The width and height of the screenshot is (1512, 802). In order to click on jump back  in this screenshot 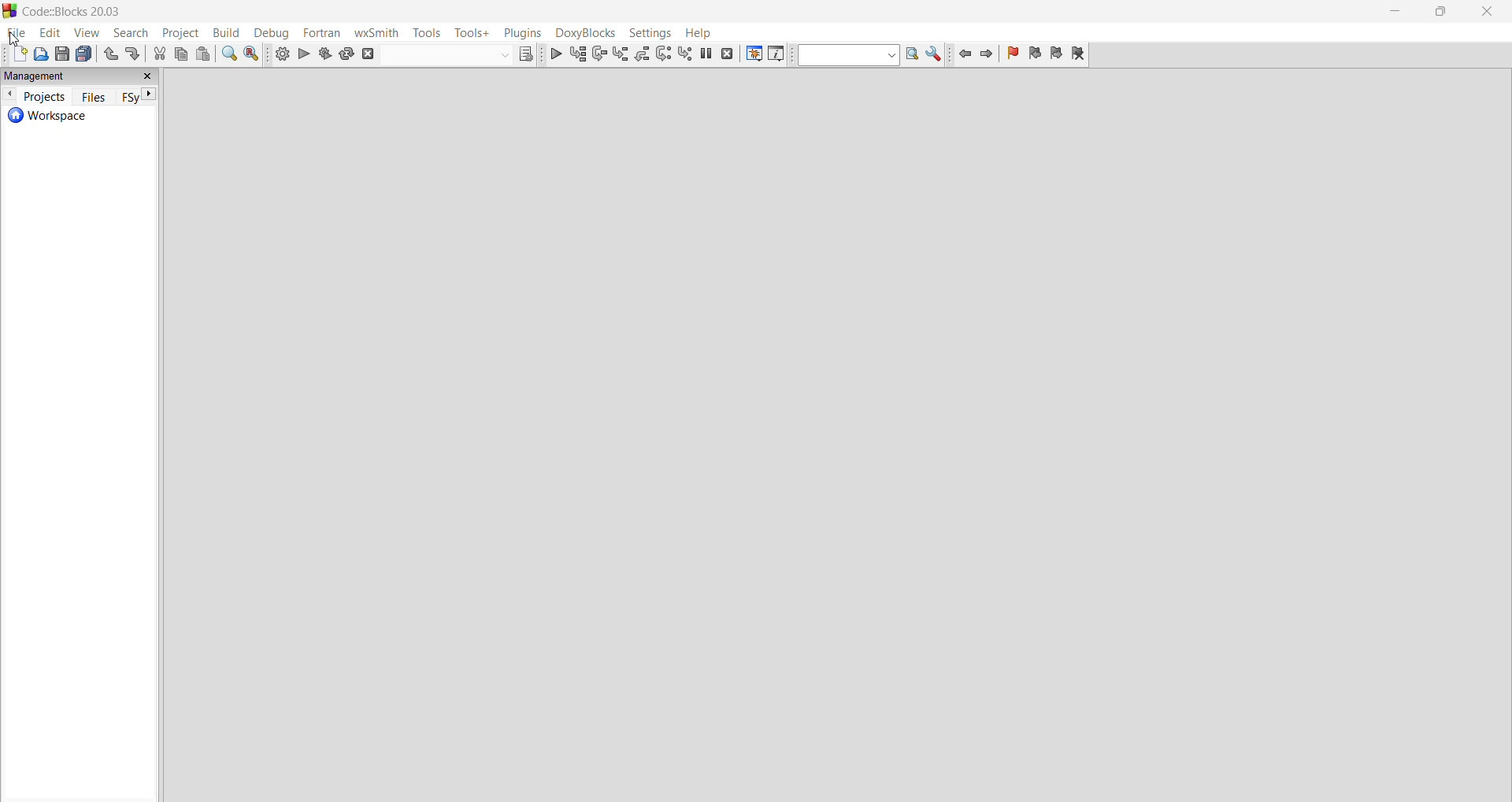, I will do `click(962, 56)`.